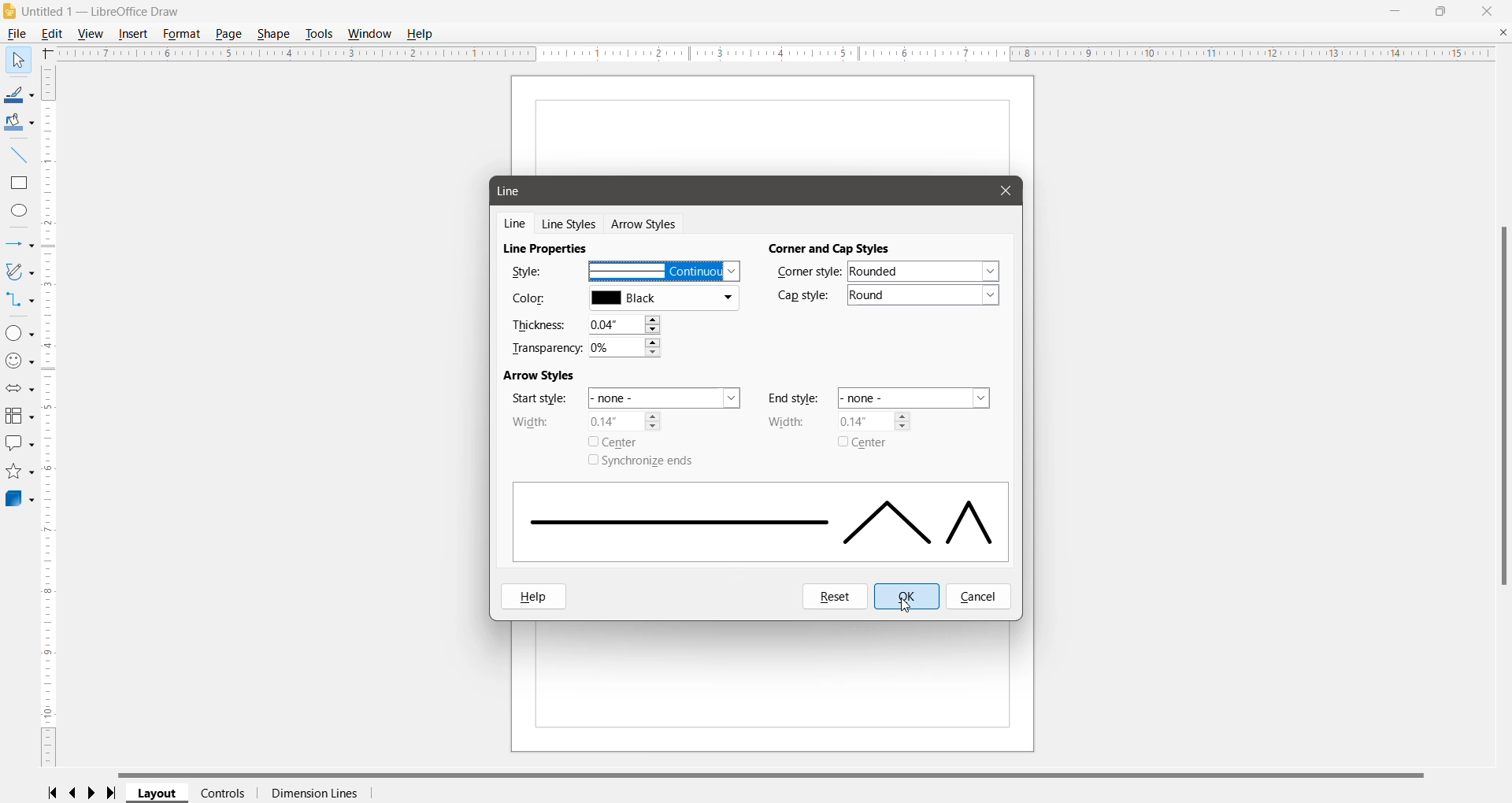 The width and height of the screenshot is (1512, 803). Describe the element at coordinates (536, 399) in the screenshot. I see `Star style` at that location.